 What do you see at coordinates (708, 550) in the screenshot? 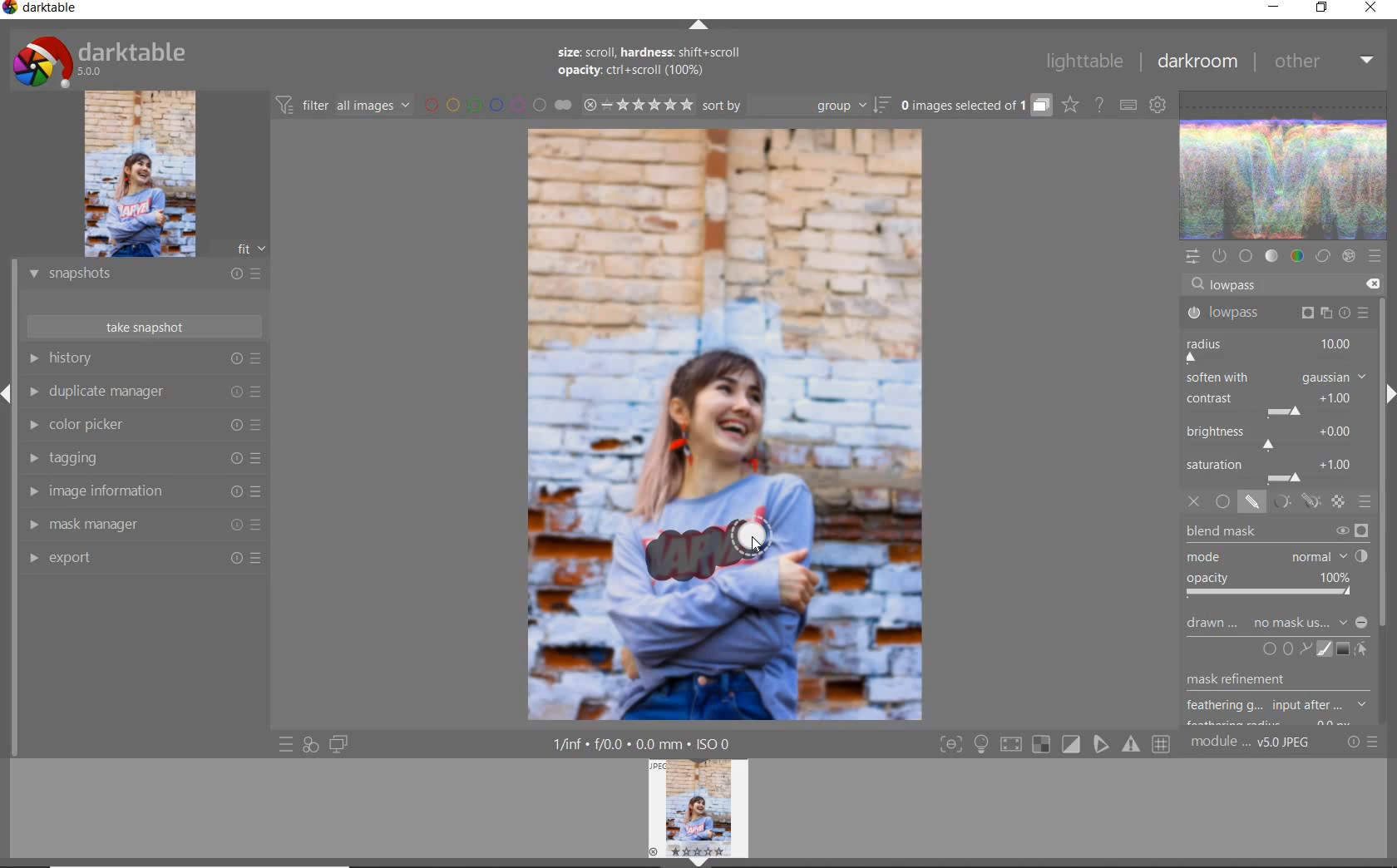
I see `area painted` at bounding box center [708, 550].